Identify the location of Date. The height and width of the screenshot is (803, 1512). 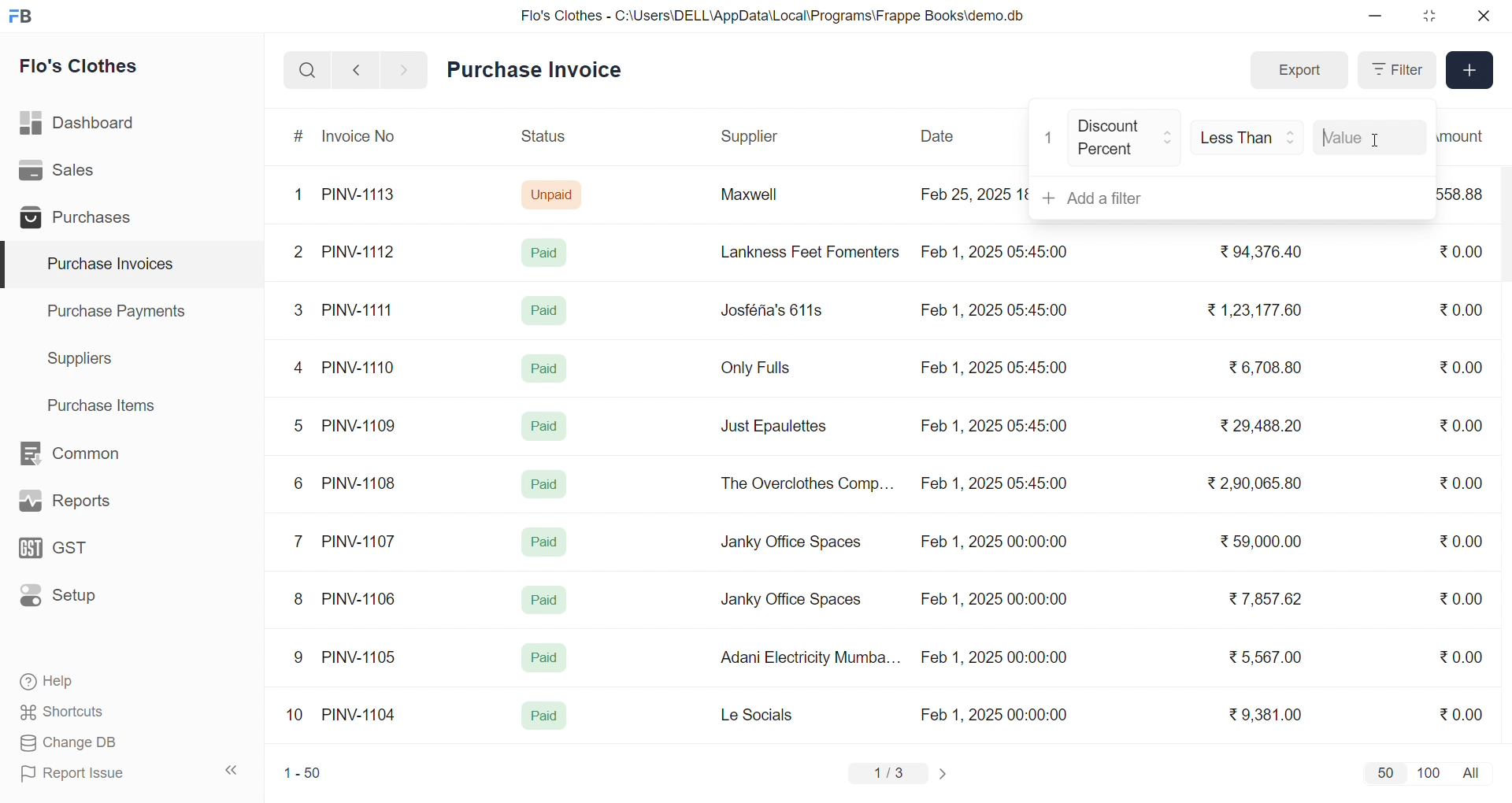
(939, 136).